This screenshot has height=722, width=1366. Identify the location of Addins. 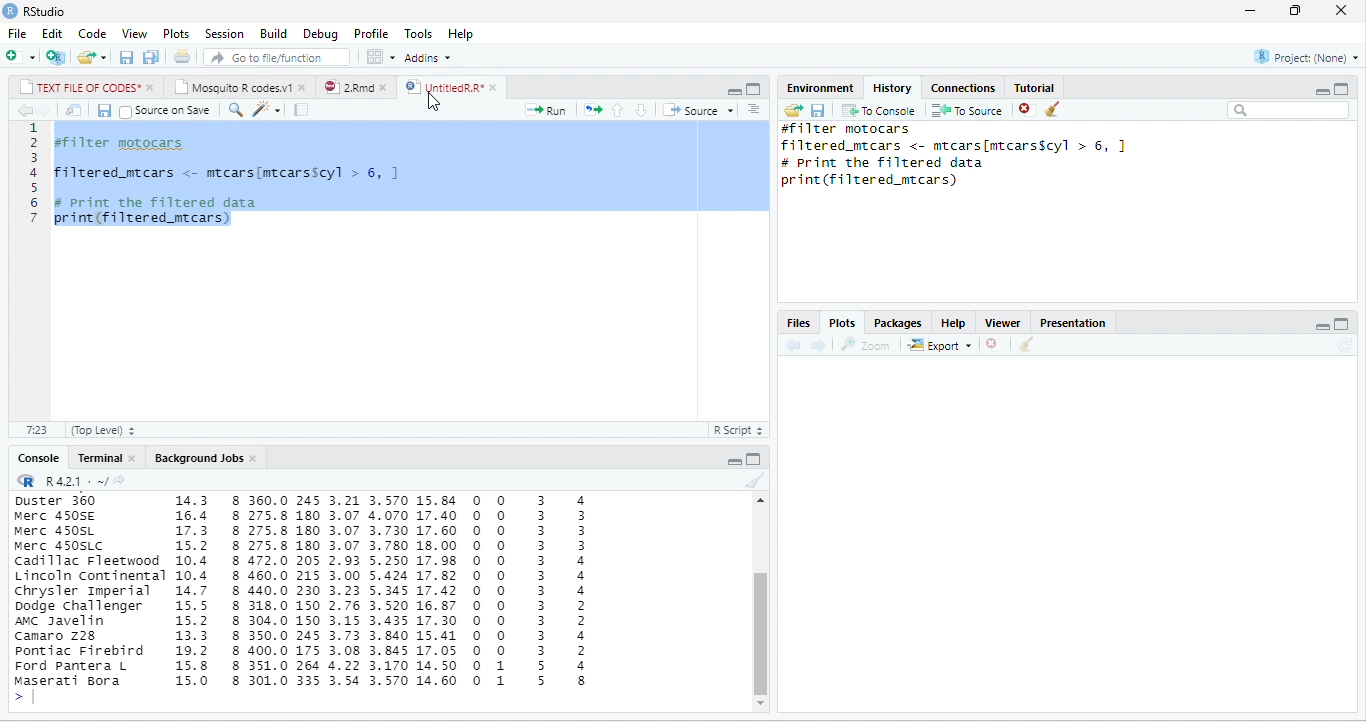
(427, 57).